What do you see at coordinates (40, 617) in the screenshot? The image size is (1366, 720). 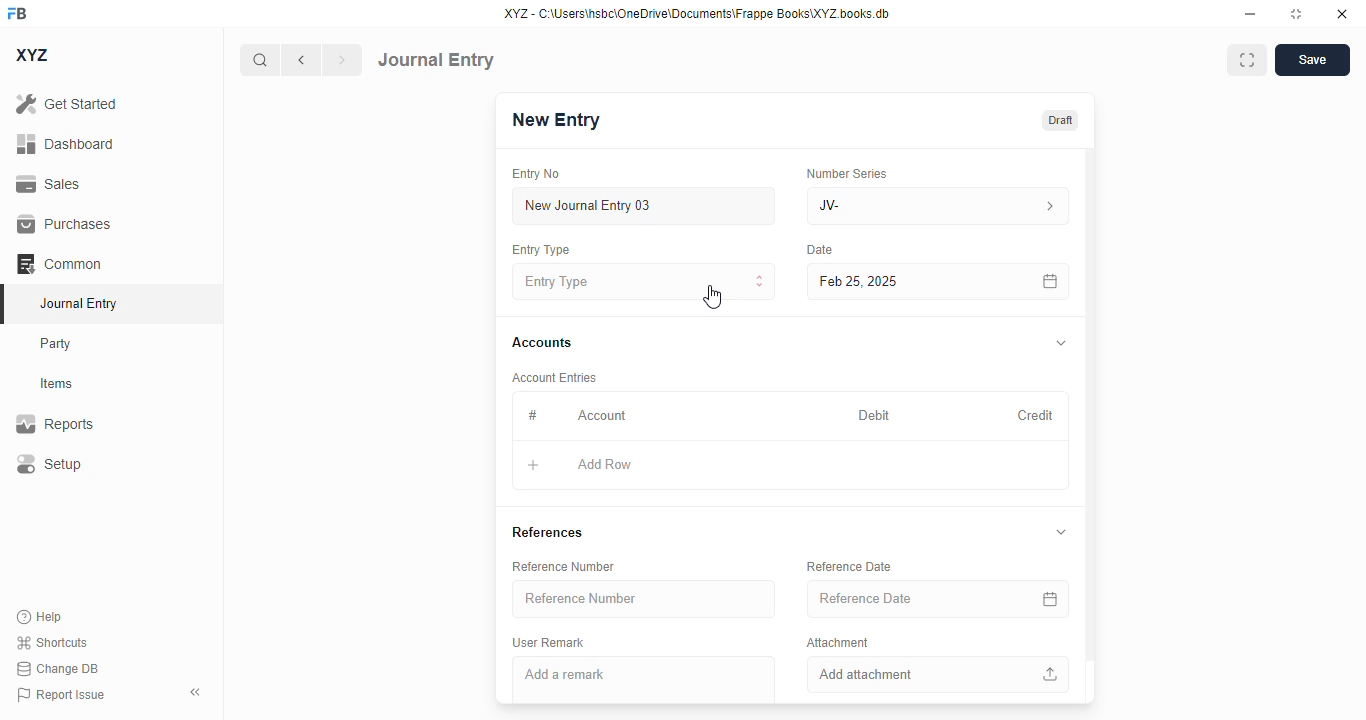 I see `help` at bounding box center [40, 617].